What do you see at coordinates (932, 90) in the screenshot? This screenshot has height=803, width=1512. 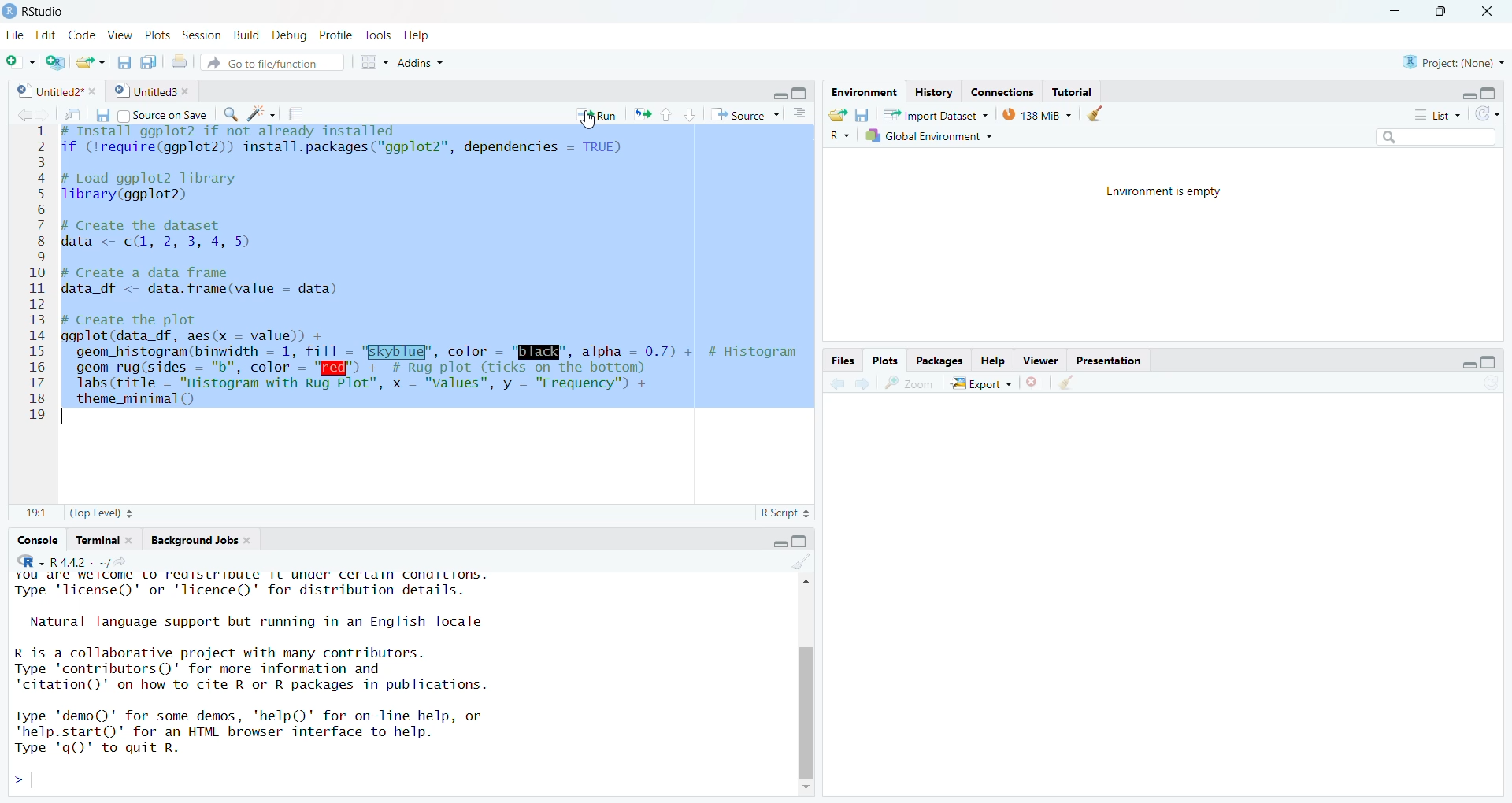 I see `History` at bounding box center [932, 90].